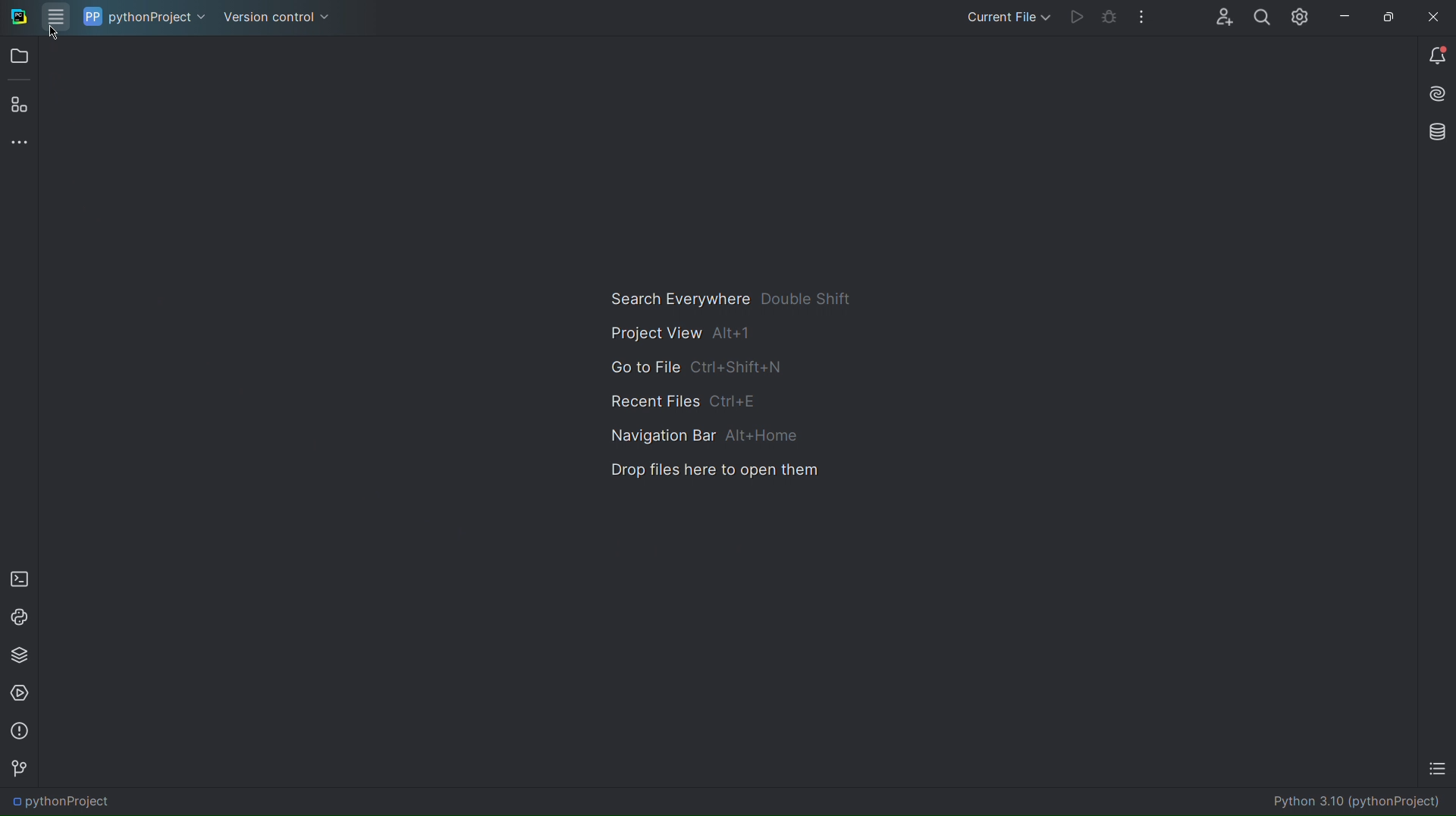  Describe the element at coordinates (1217, 17) in the screenshot. I see `Account` at that location.